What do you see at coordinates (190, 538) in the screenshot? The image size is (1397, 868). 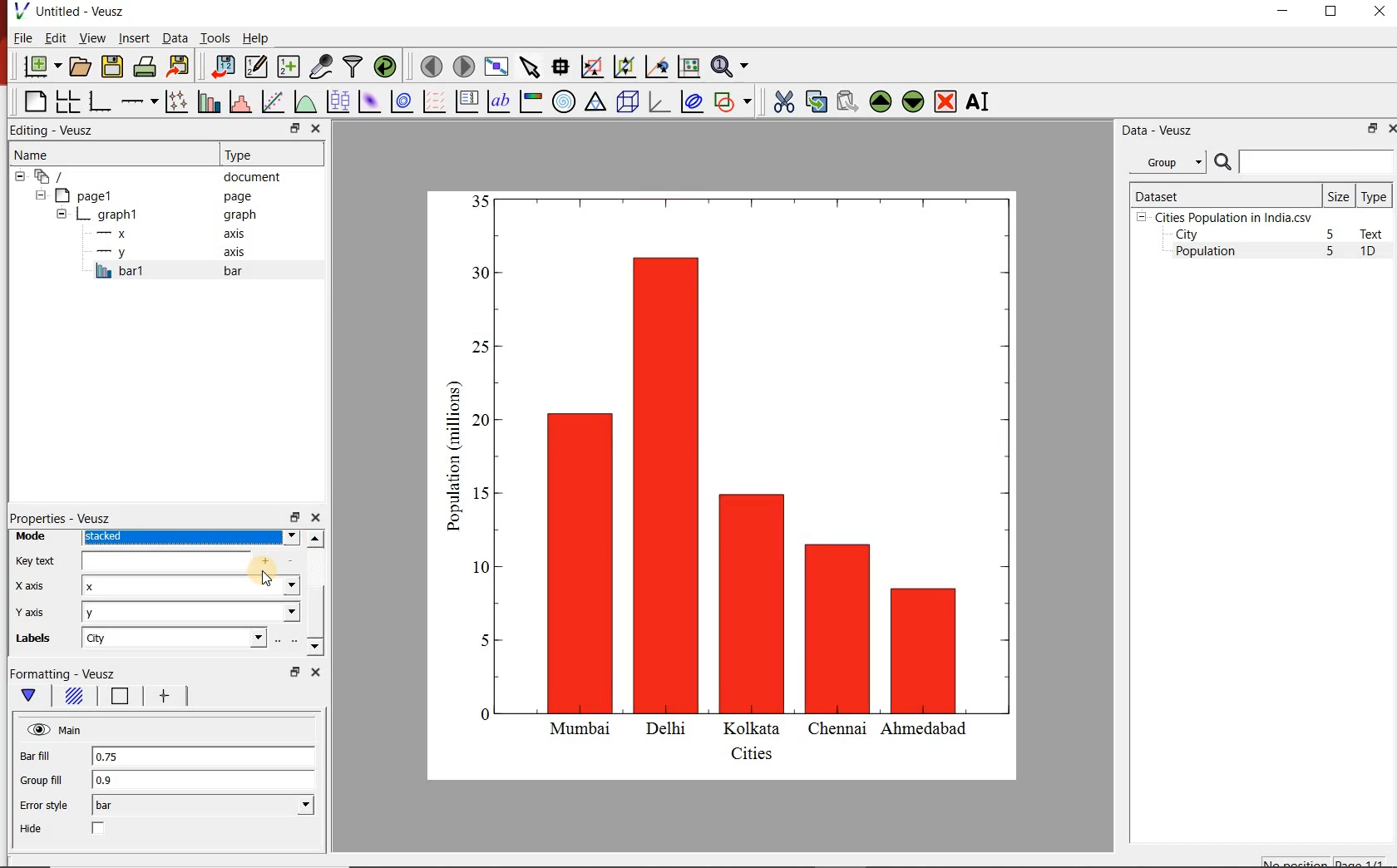 I see `stacked` at bounding box center [190, 538].